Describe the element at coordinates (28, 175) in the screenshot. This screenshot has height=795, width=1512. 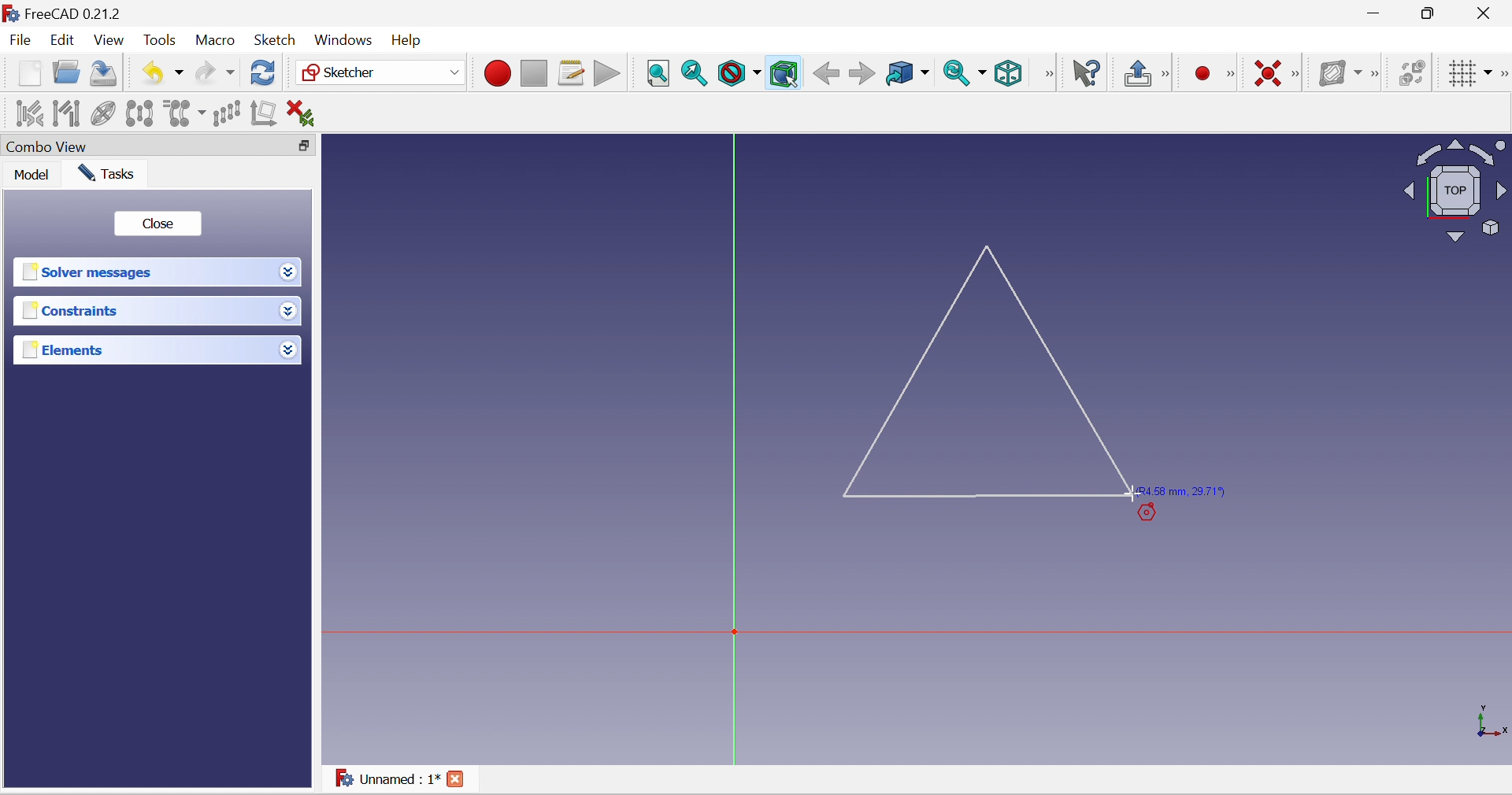
I see `Model` at that location.